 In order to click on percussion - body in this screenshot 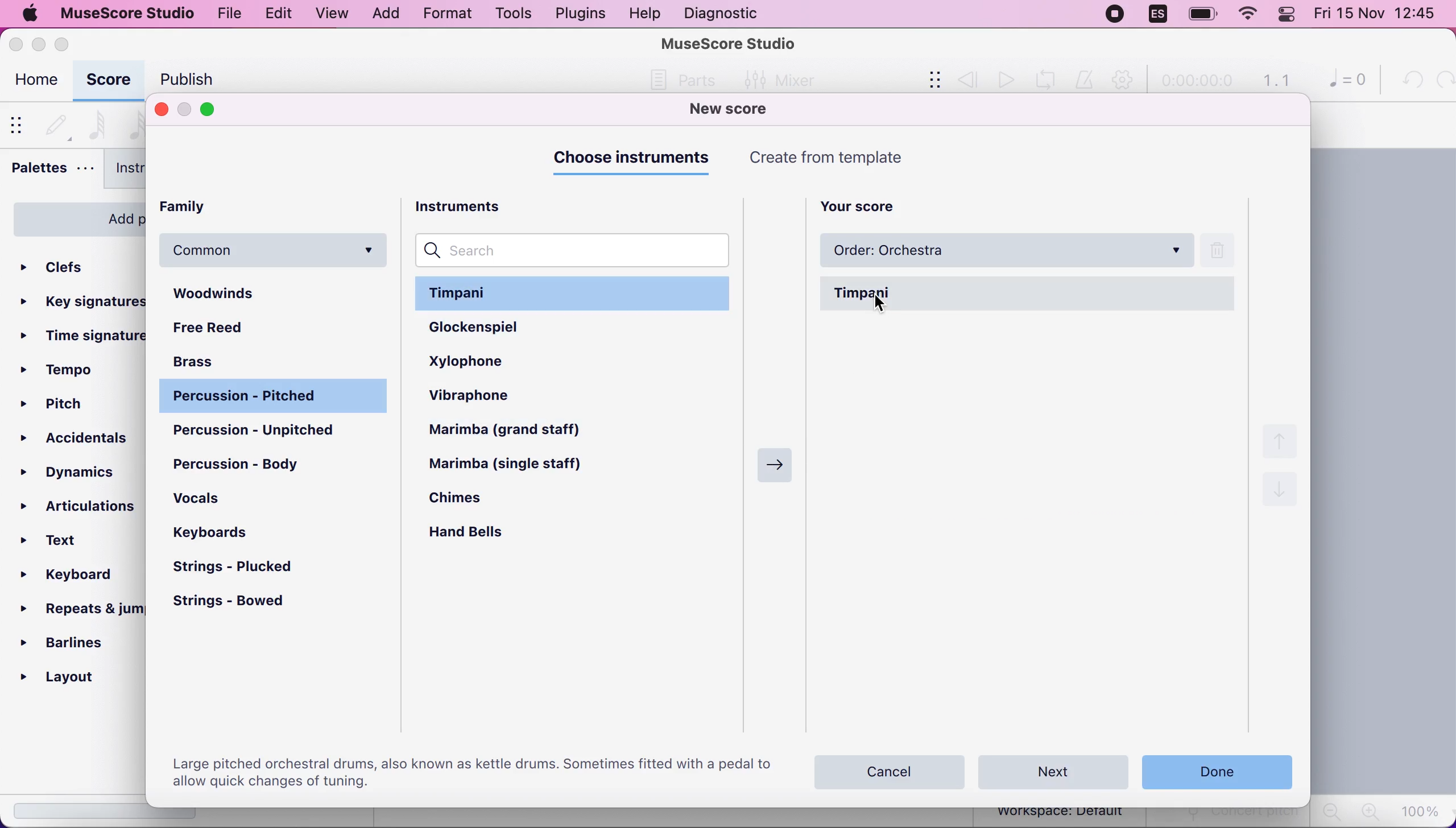, I will do `click(247, 463)`.